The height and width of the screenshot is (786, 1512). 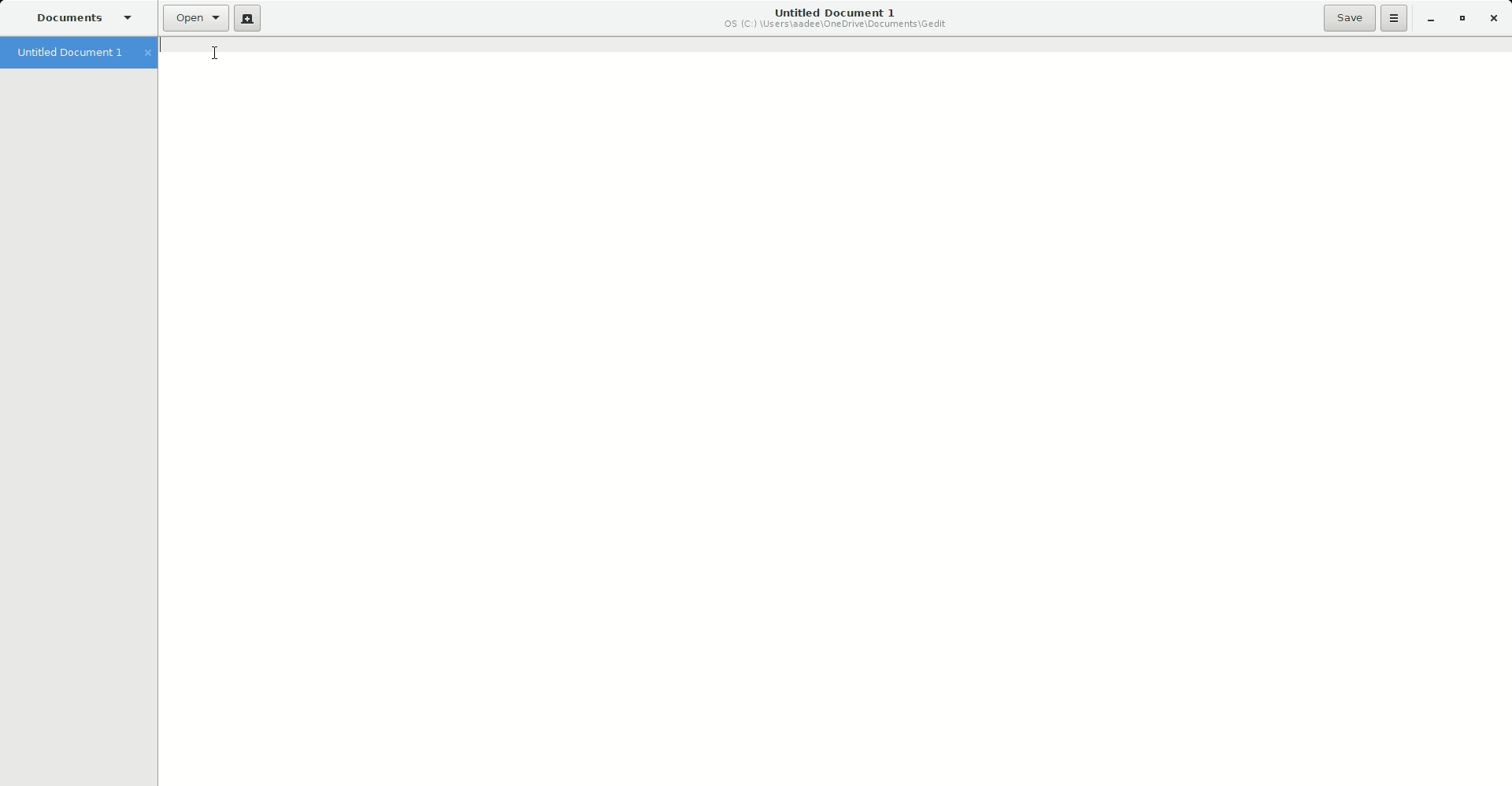 I want to click on Restore, so click(x=1462, y=19).